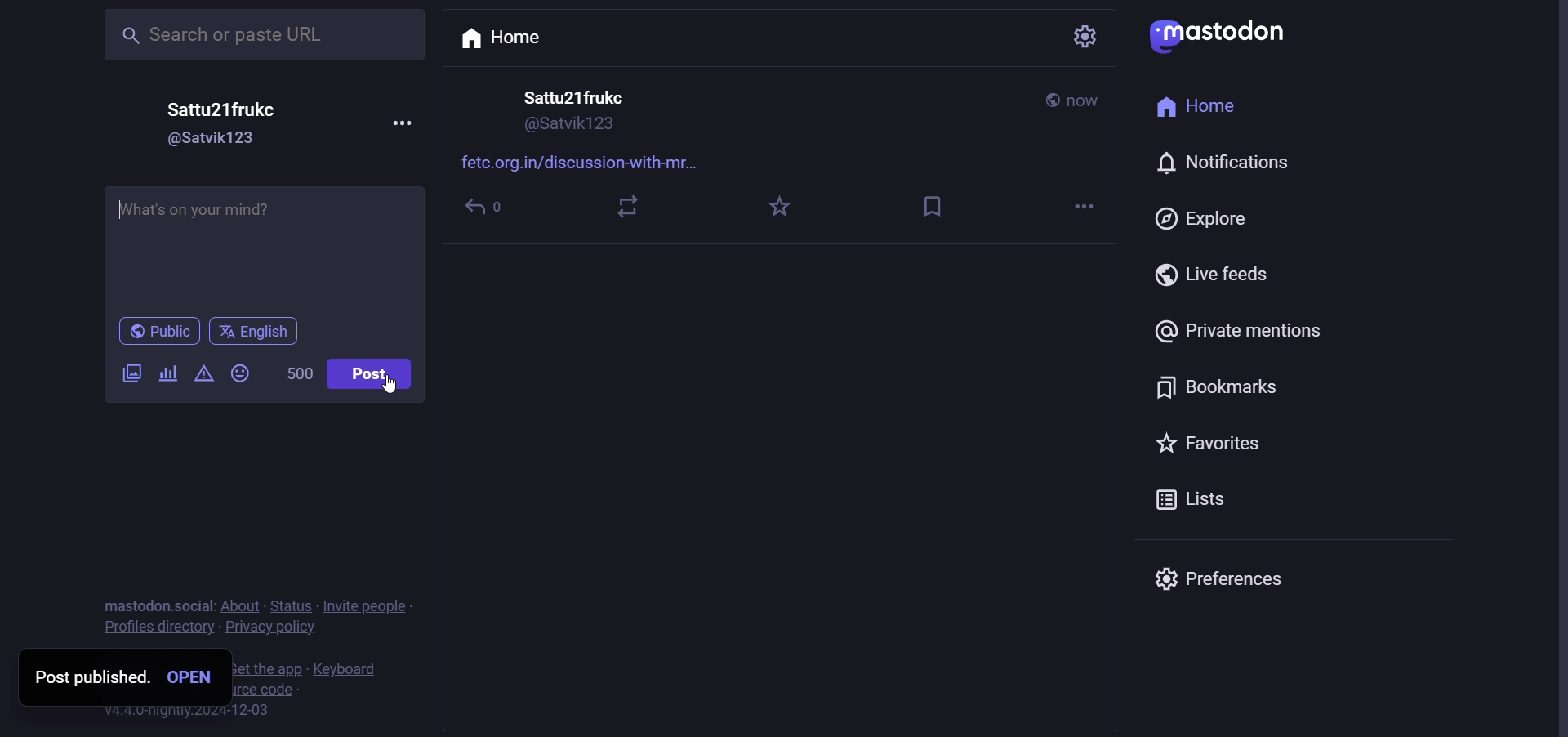  What do you see at coordinates (152, 603) in the screenshot?
I see `mastodon social` at bounding box center [152, 603].